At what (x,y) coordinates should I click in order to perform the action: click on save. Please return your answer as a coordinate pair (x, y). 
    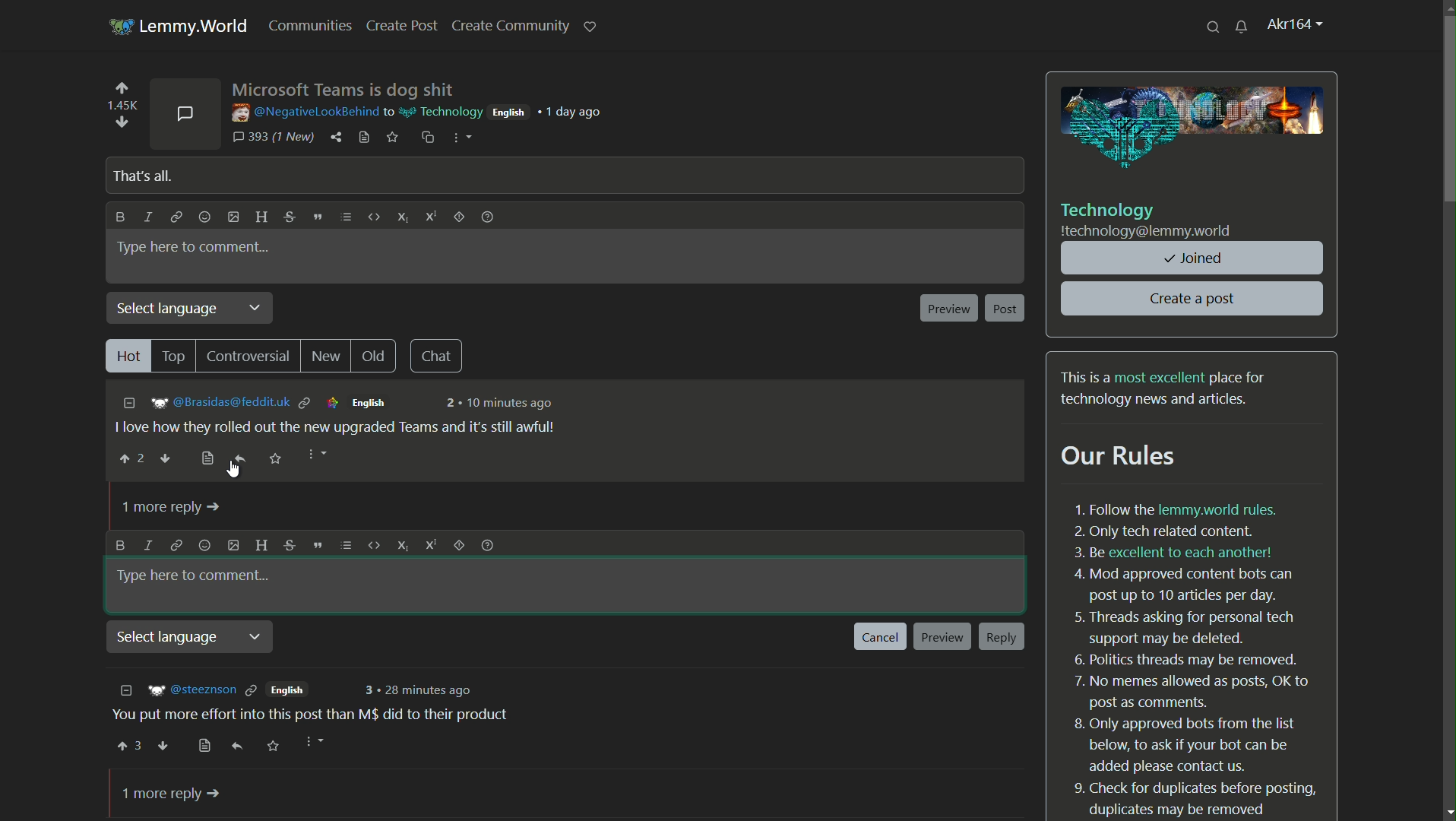
    Looking at the image, I should click on (394, 138).